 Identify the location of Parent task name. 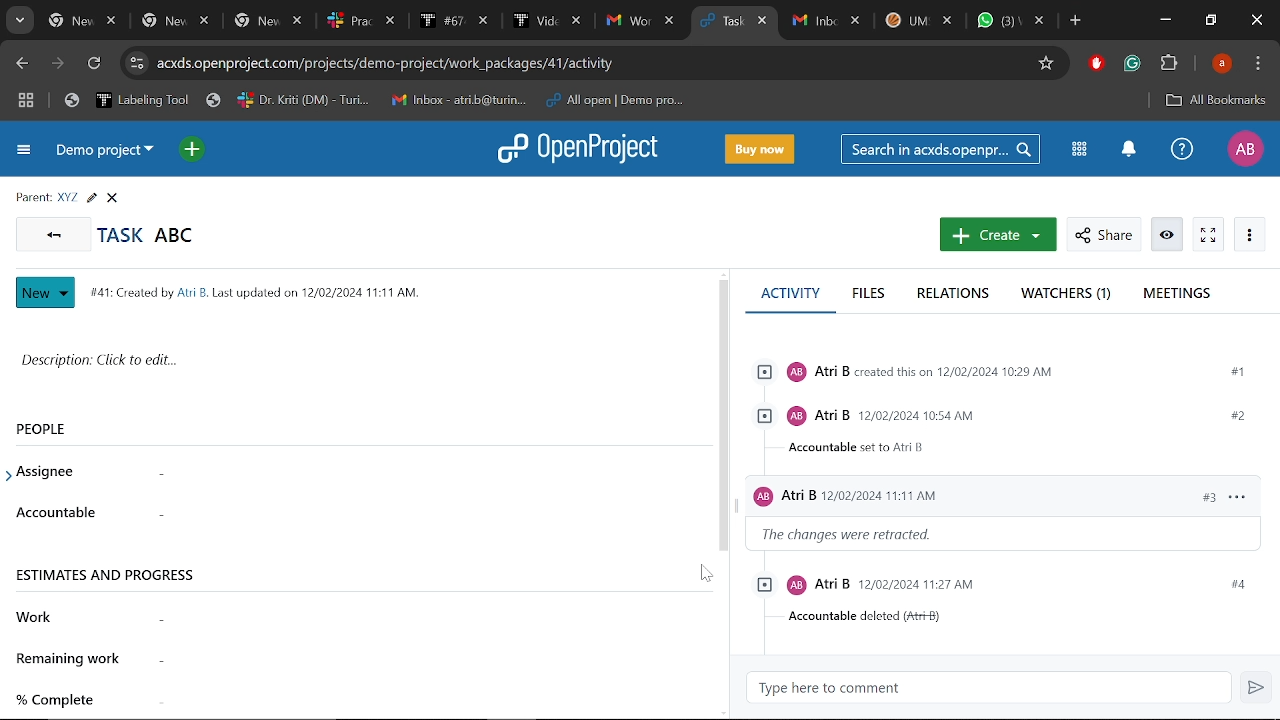
(68, 197).